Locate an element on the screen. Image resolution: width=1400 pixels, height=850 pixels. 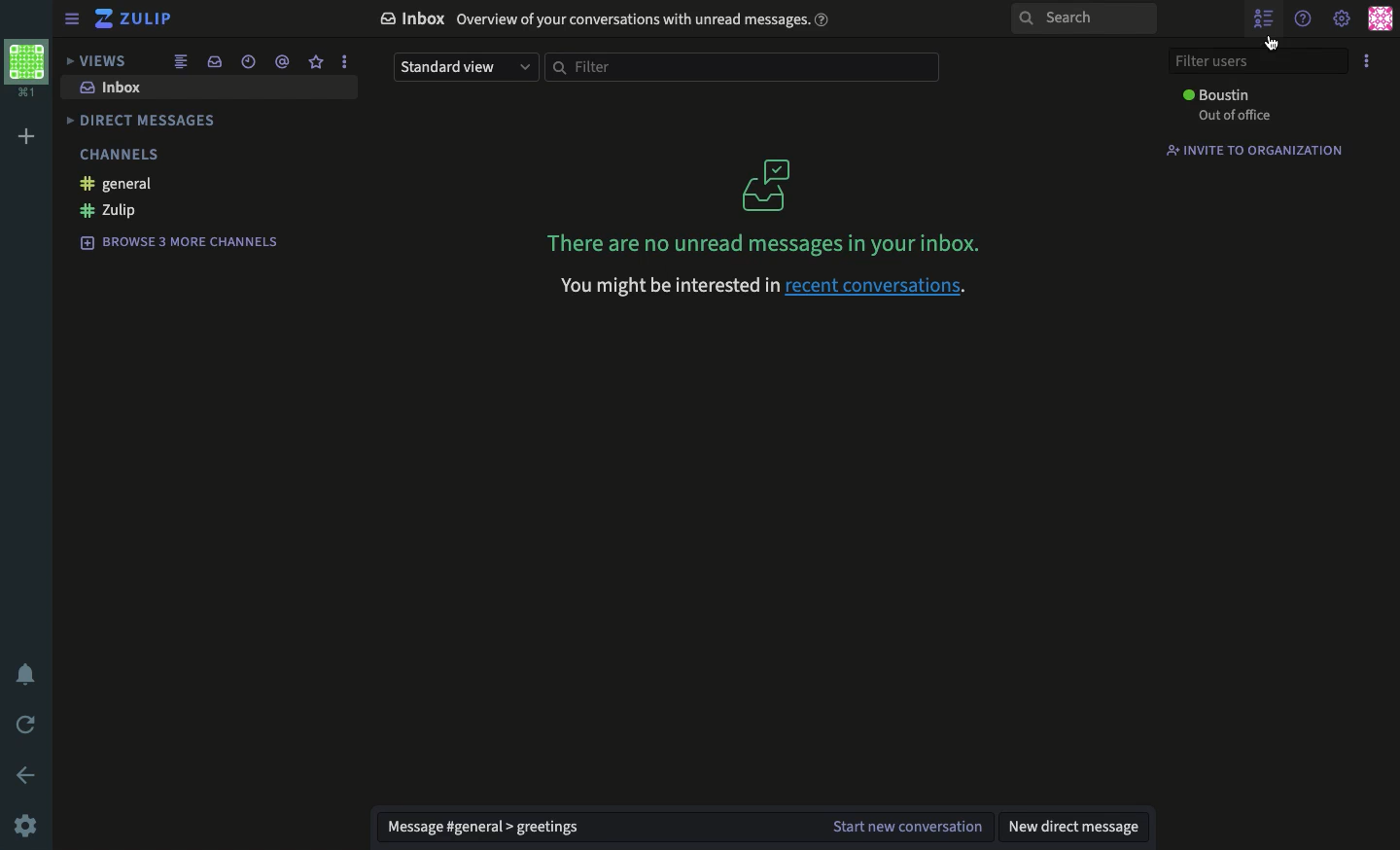
help is located at coordinates (1304, 18).